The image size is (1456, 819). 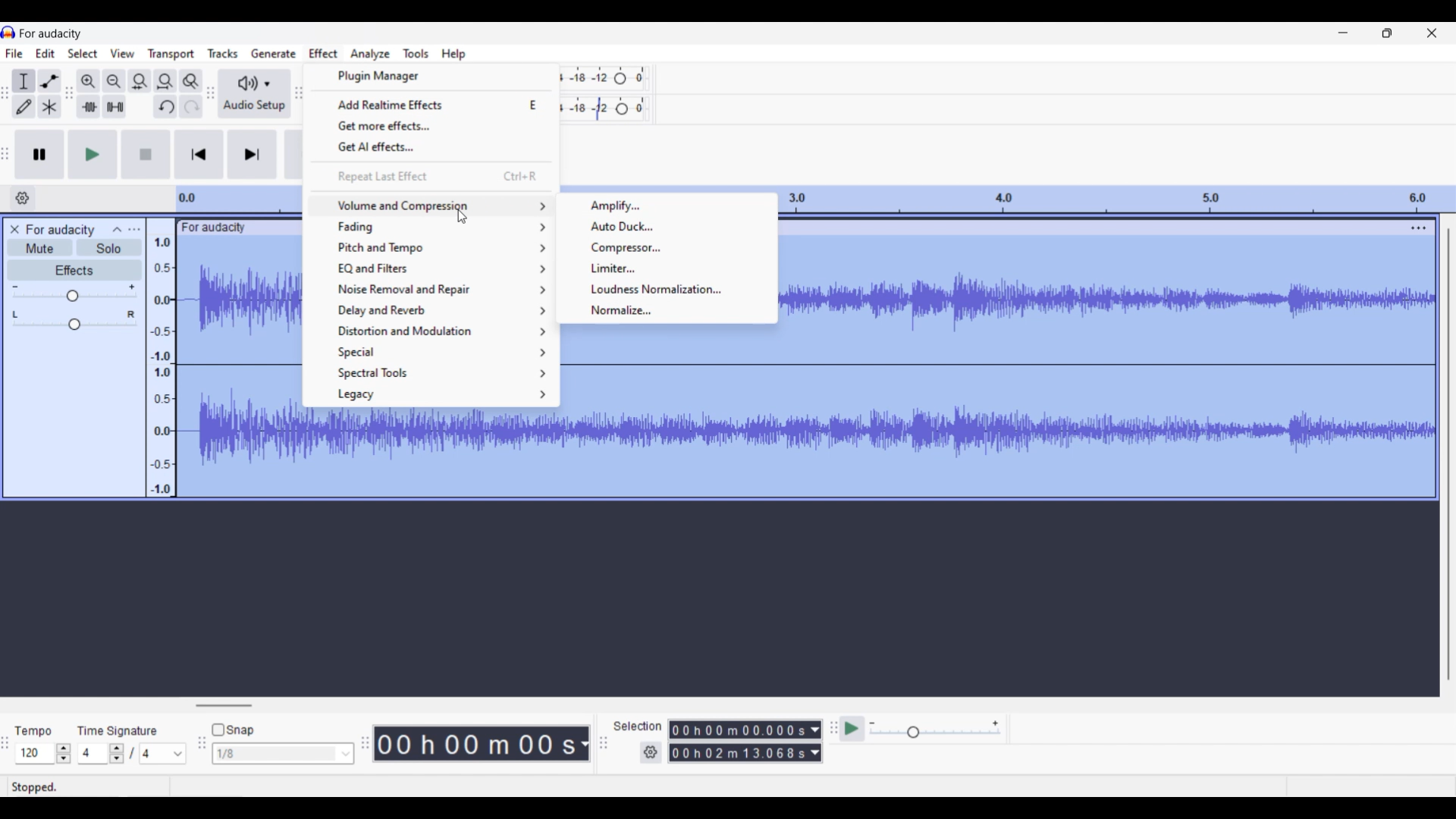 What do you see at coordinates (14, 229) in the screenshot?
I see `Close track` at bounding box center [14, 229].